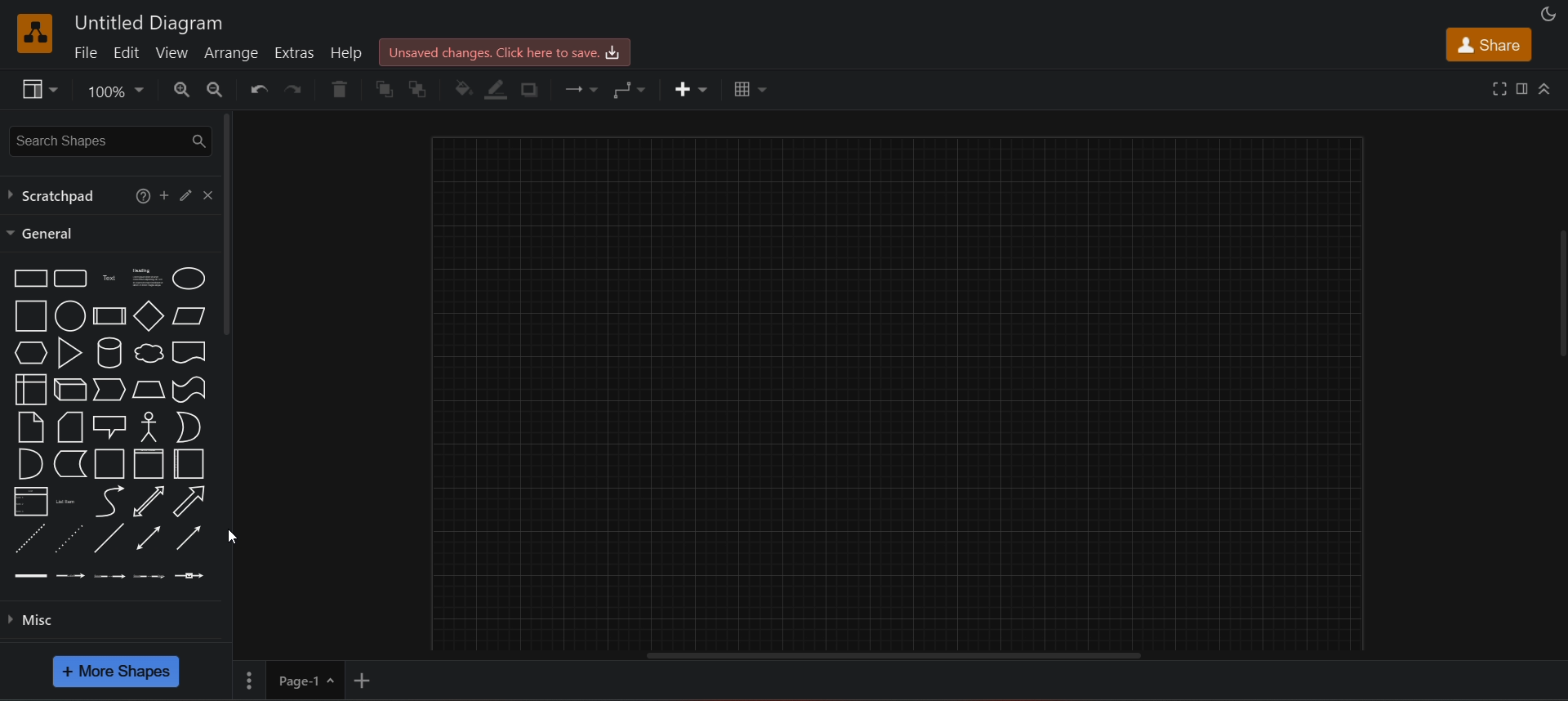 The image size is (1568, 701). I want to click on cube, so click(72, 386).